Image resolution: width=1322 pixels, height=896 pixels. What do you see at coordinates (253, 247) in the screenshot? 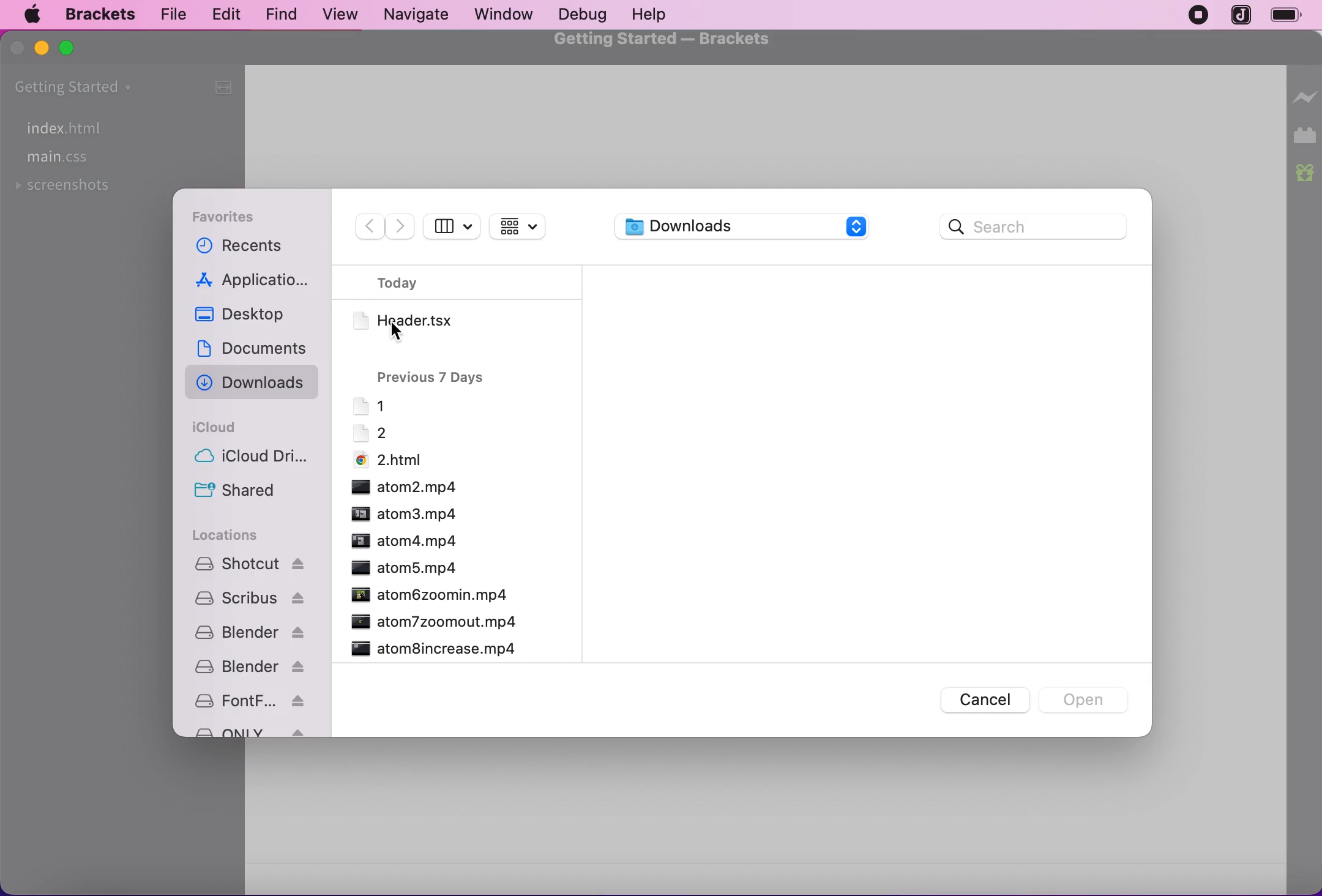
I see `recents` at bounding box center [253, 247].